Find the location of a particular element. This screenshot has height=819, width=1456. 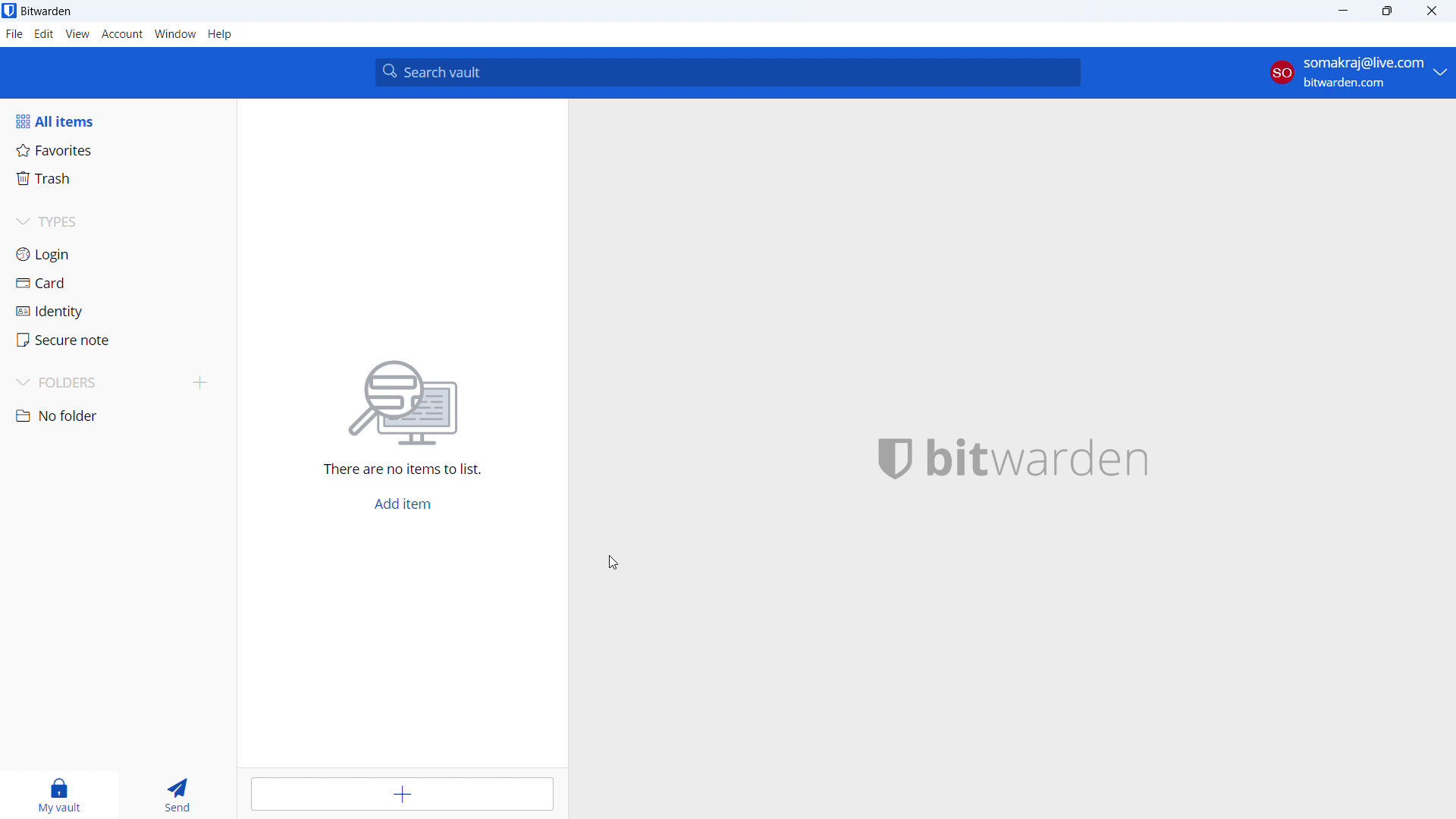

BITWARDEN is located at coordinates (1043, 455).